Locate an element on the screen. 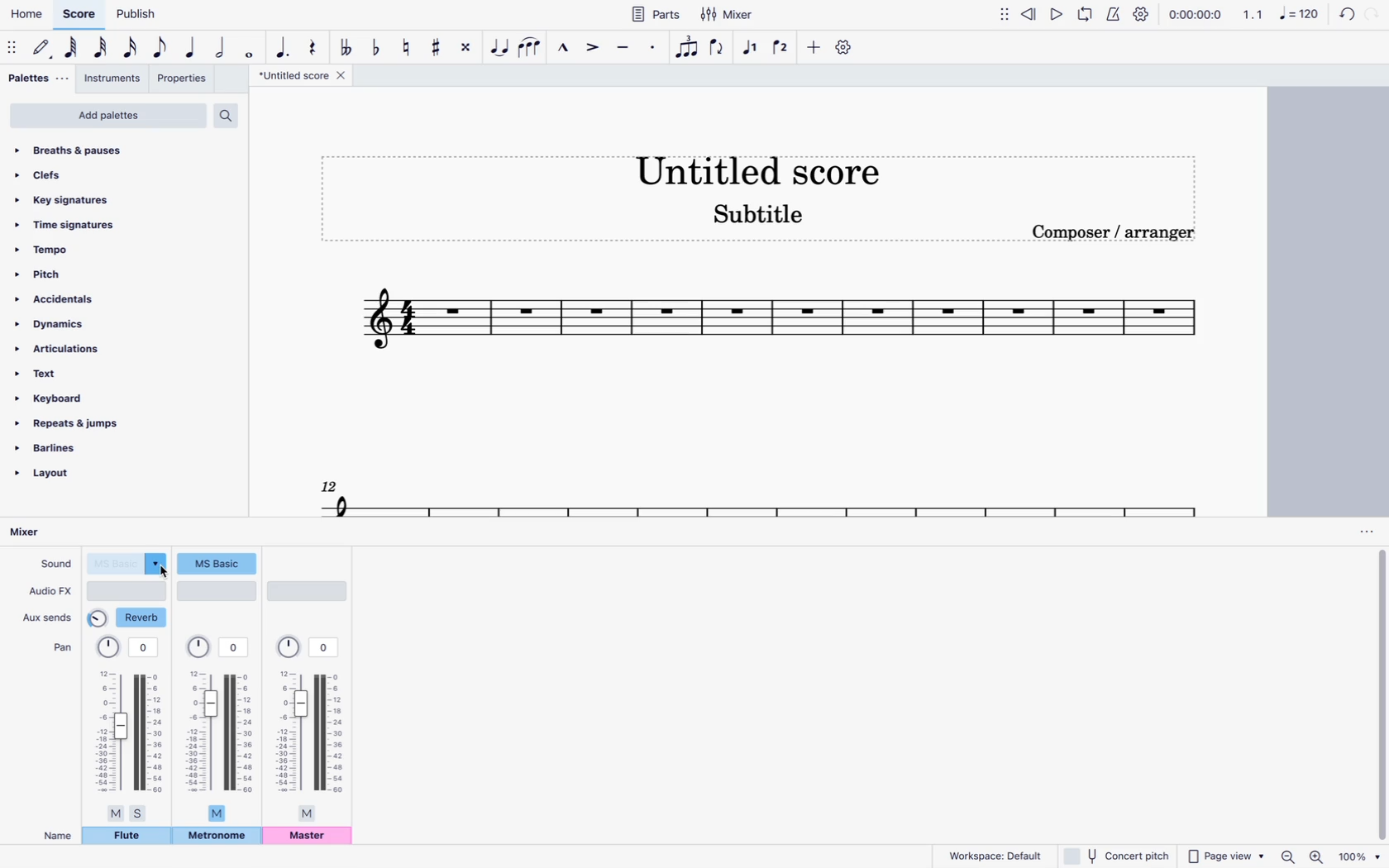 This screenshot has height=868, width=1389. sound type is located at coordinates (128, 563).